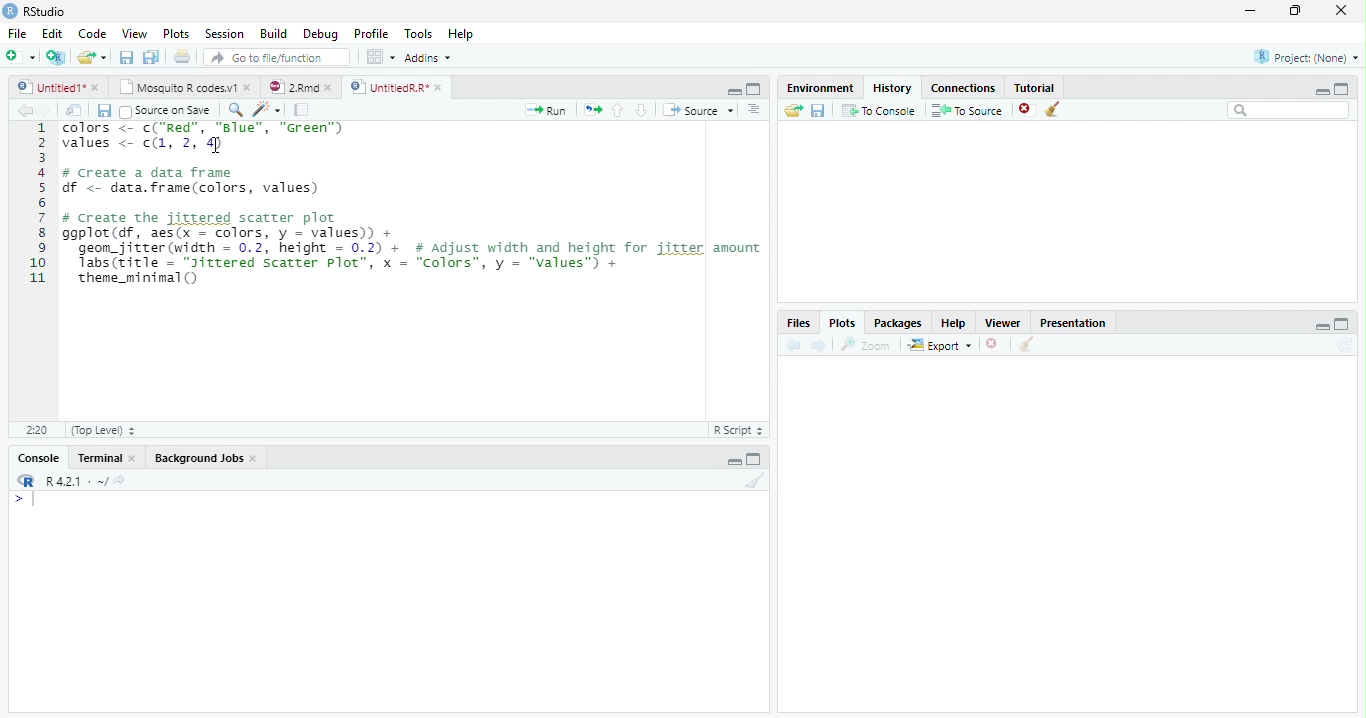  Describe the element at coordinates (388, 88) in the screenshot. I see `UntitledR.R*` at that location.